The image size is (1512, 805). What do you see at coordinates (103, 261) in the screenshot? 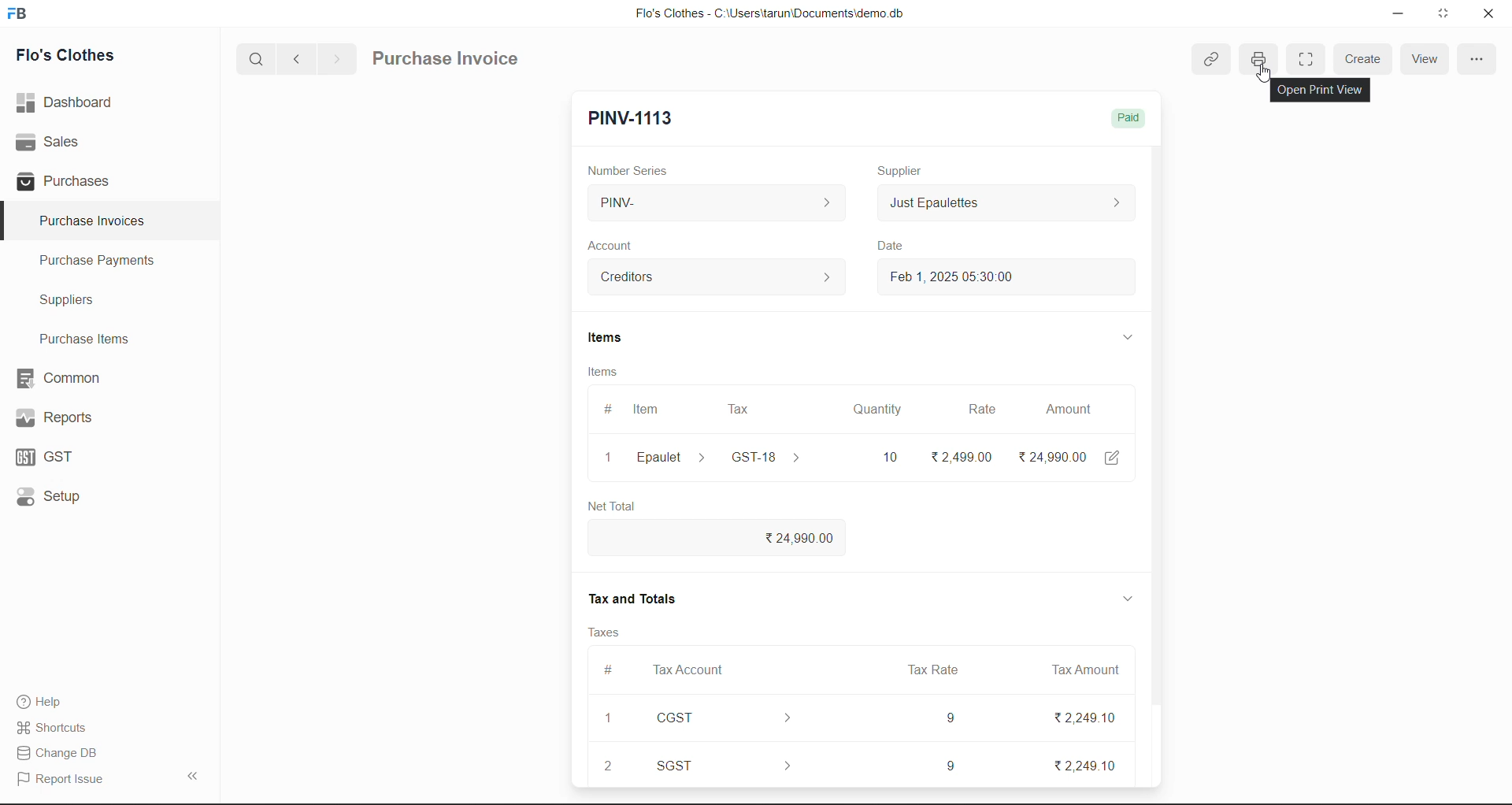
I see `Purchase Payments` at bounding box center [103, 261].